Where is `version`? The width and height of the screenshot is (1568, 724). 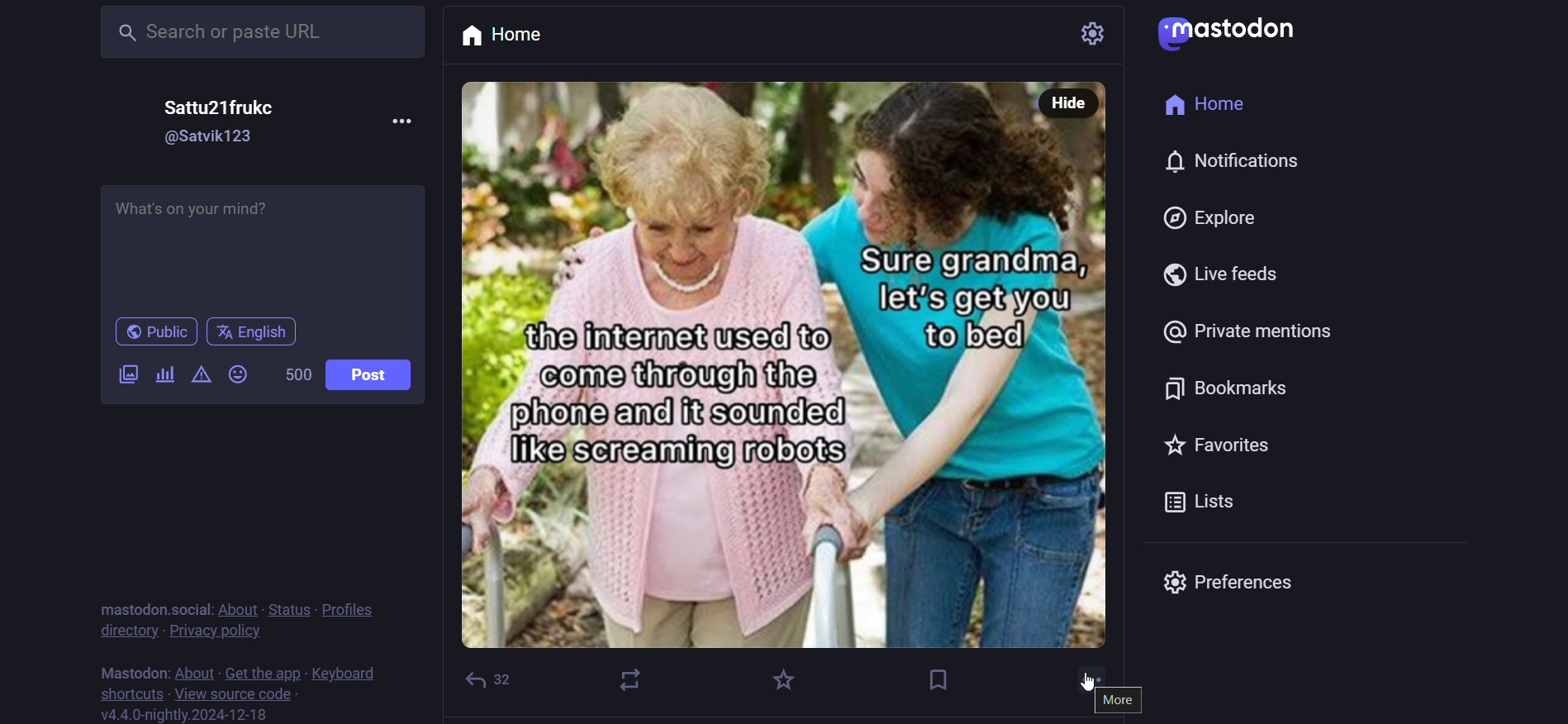 version is located at coordinates (183, 714).